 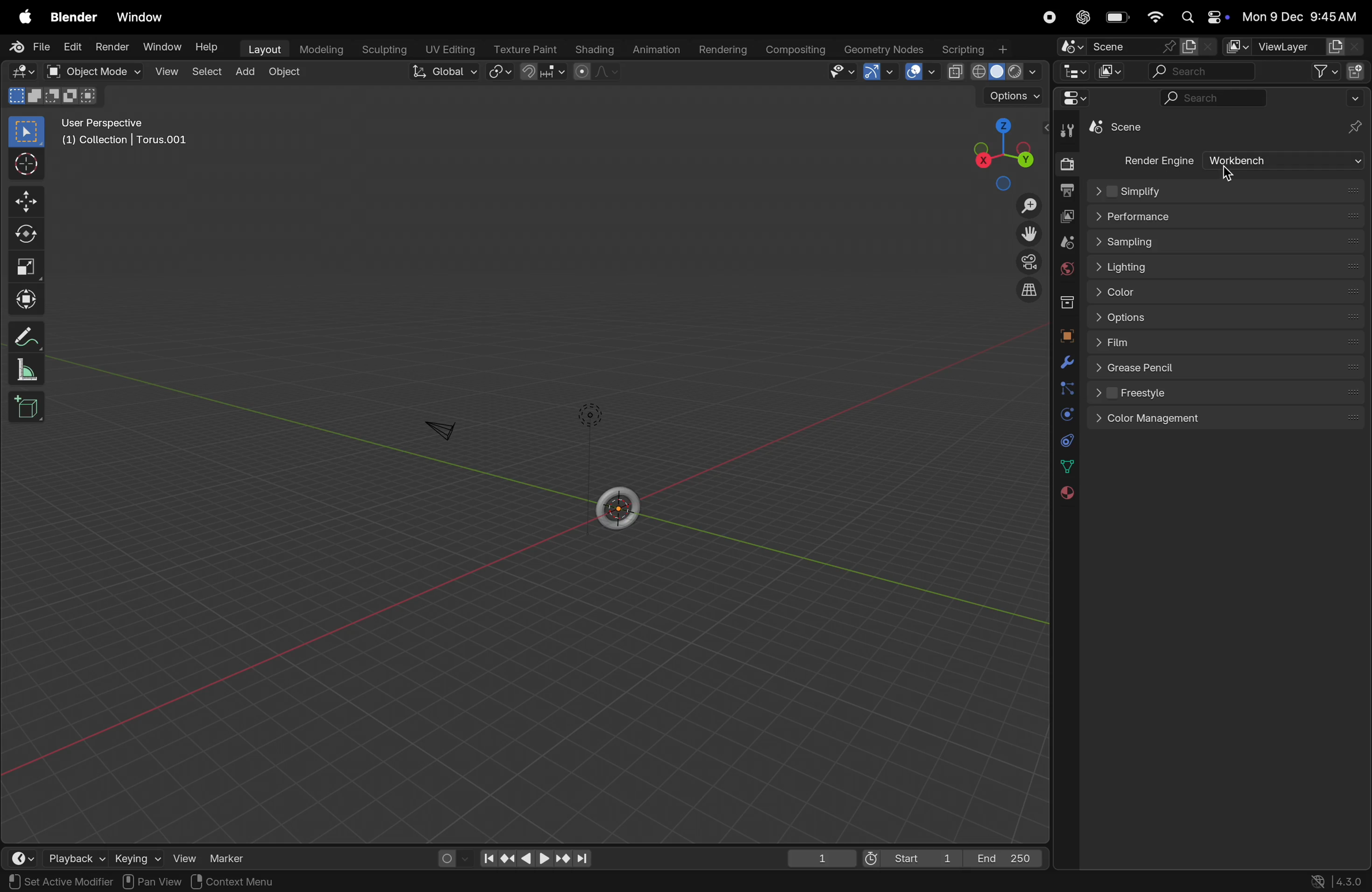 I want to click on Green pencil, so click(x=1229, y=368).